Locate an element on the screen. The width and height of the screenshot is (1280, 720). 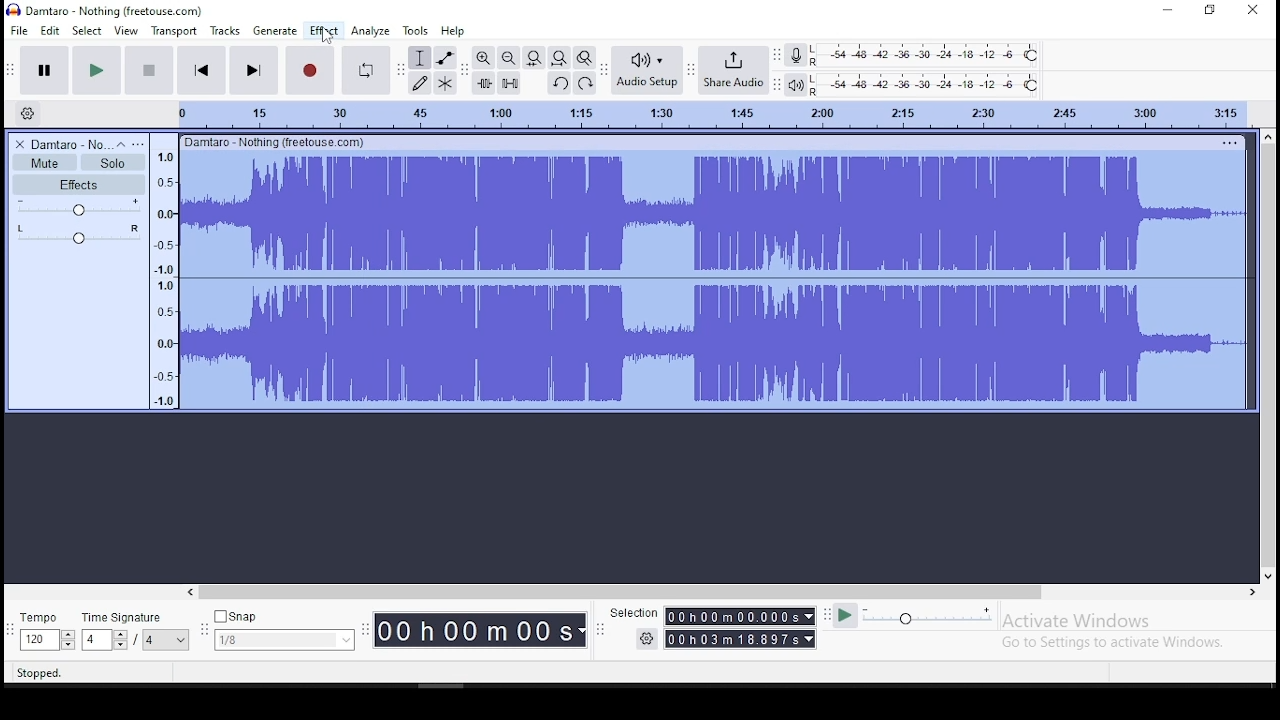
vertical scrollbar is located at coordinates (1269, 356).